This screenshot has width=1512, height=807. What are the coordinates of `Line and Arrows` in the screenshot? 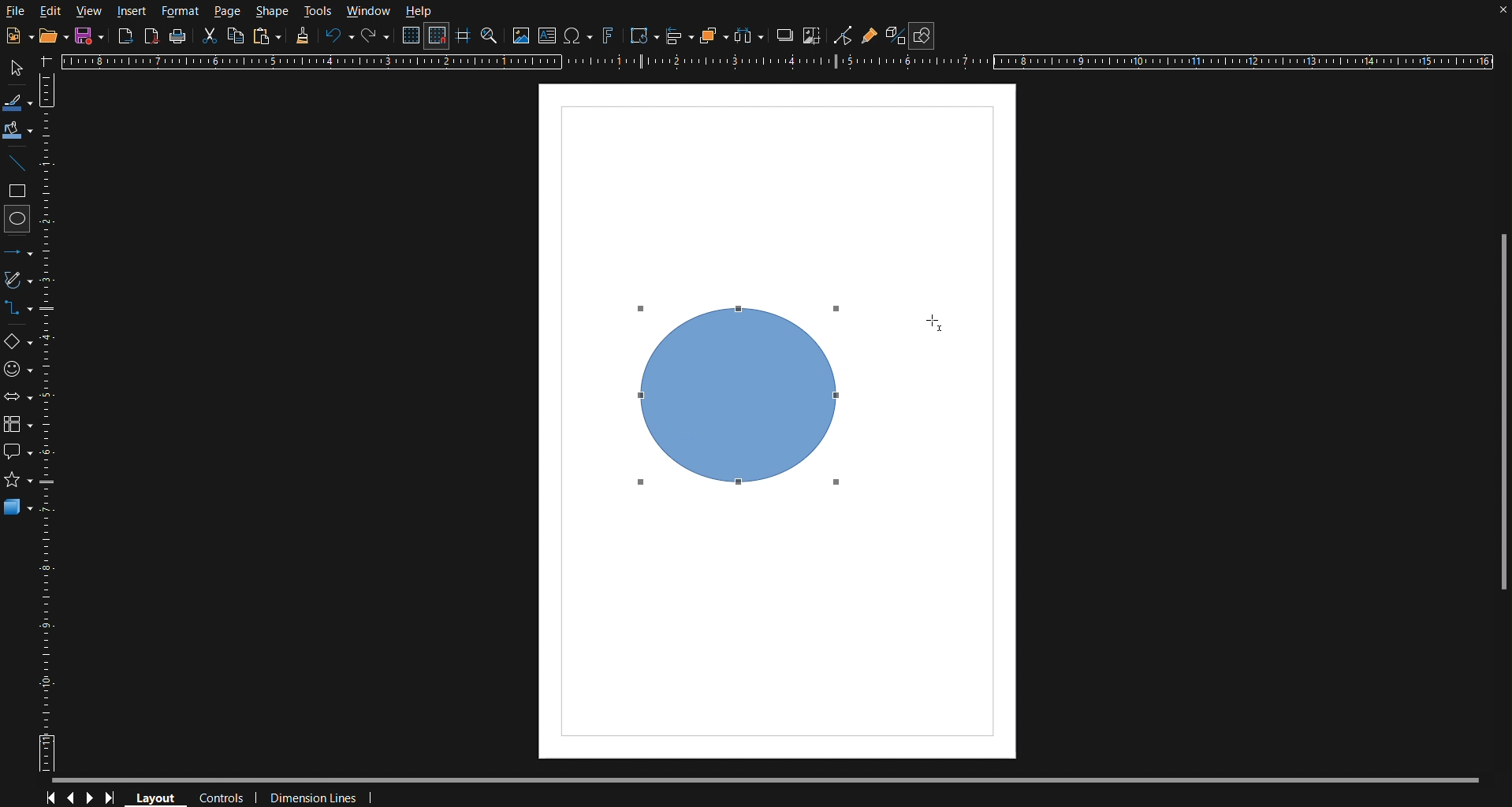 It's located at (18, 252).